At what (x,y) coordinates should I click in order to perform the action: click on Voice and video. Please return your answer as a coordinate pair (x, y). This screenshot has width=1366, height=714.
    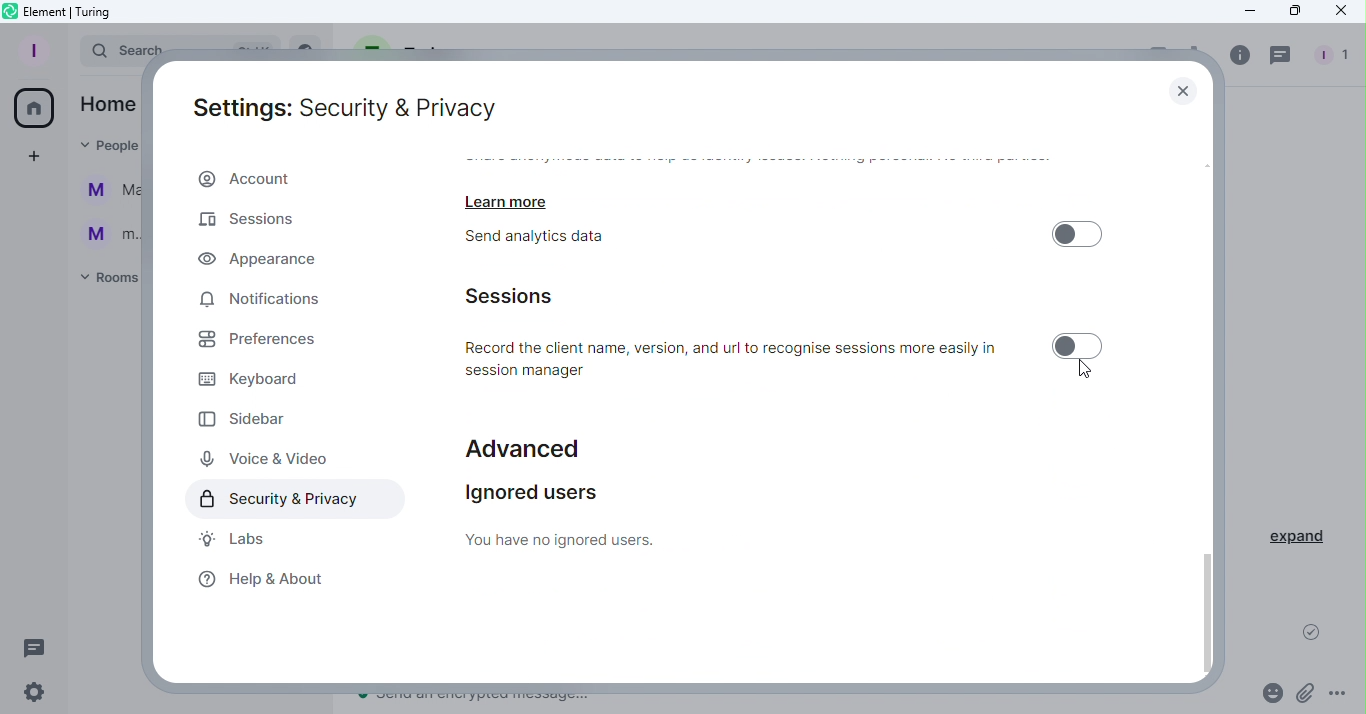
    Looking at the image, I should click on (264, 457).